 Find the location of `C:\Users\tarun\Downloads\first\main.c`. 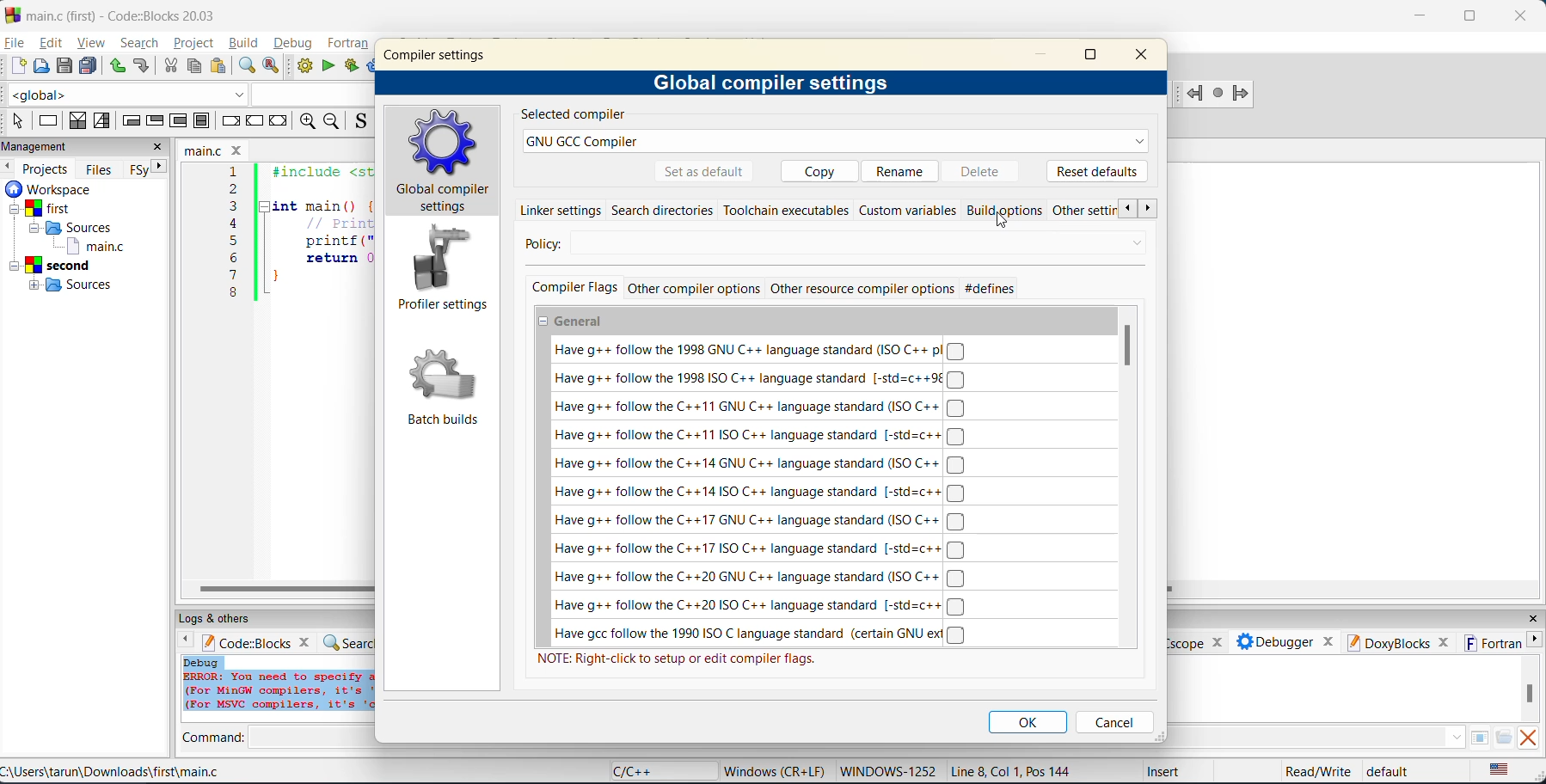

C:\Users\tarun\Downloads\first\main.c is located at coordinates (115, 771).